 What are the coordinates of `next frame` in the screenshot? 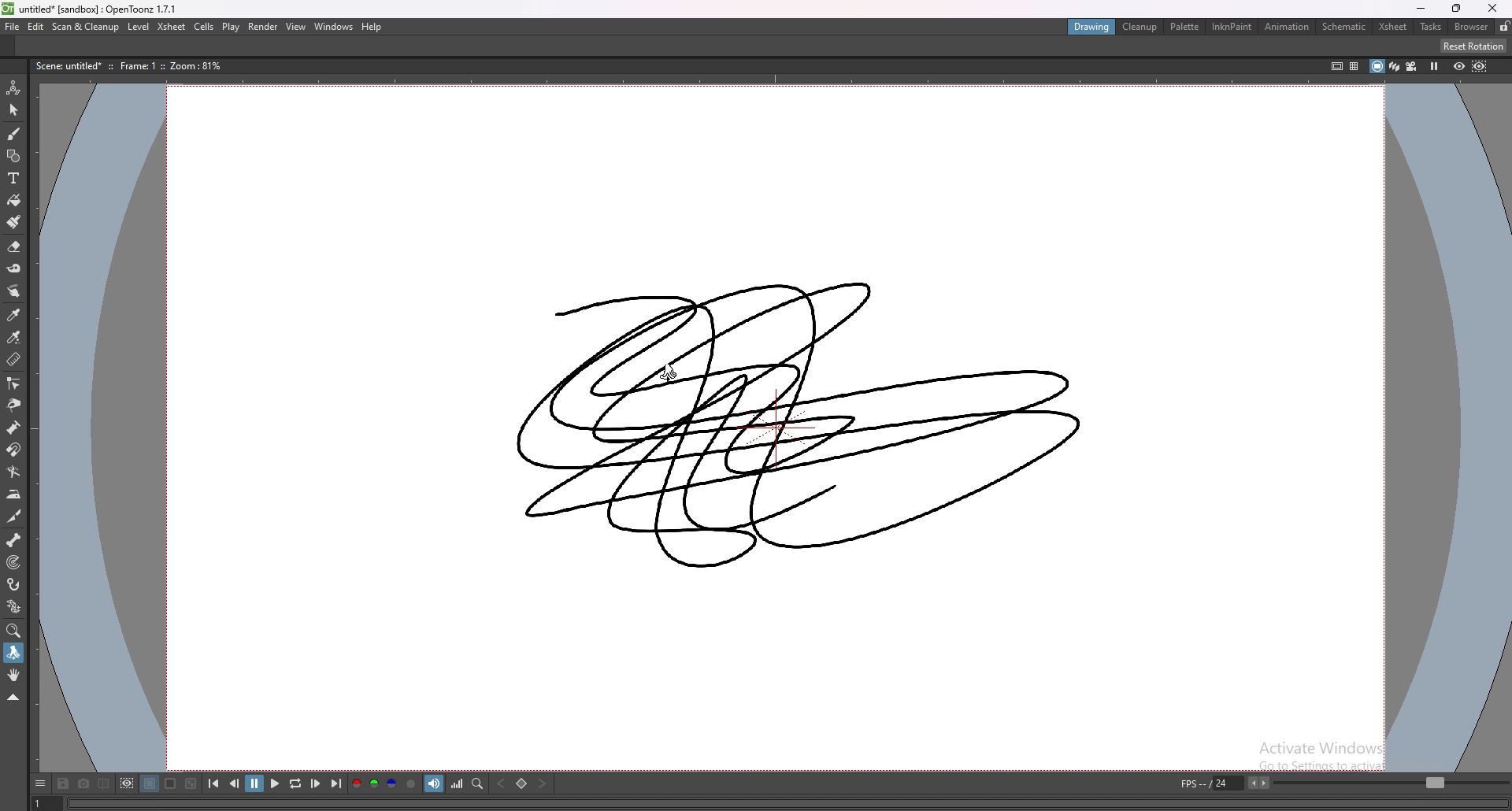 It's located at (315, 784).